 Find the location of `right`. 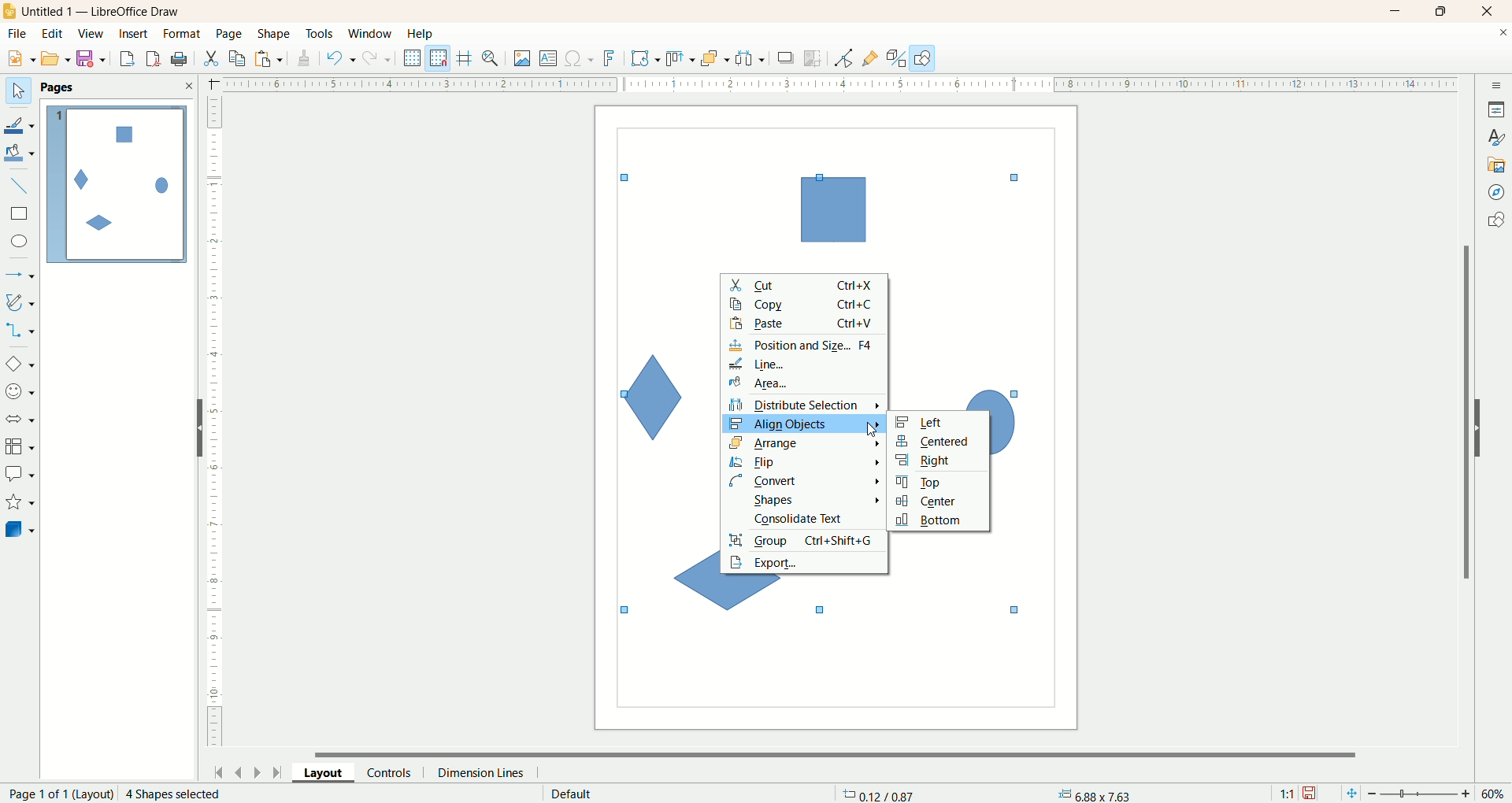

right is located at coordinates (937, 461).